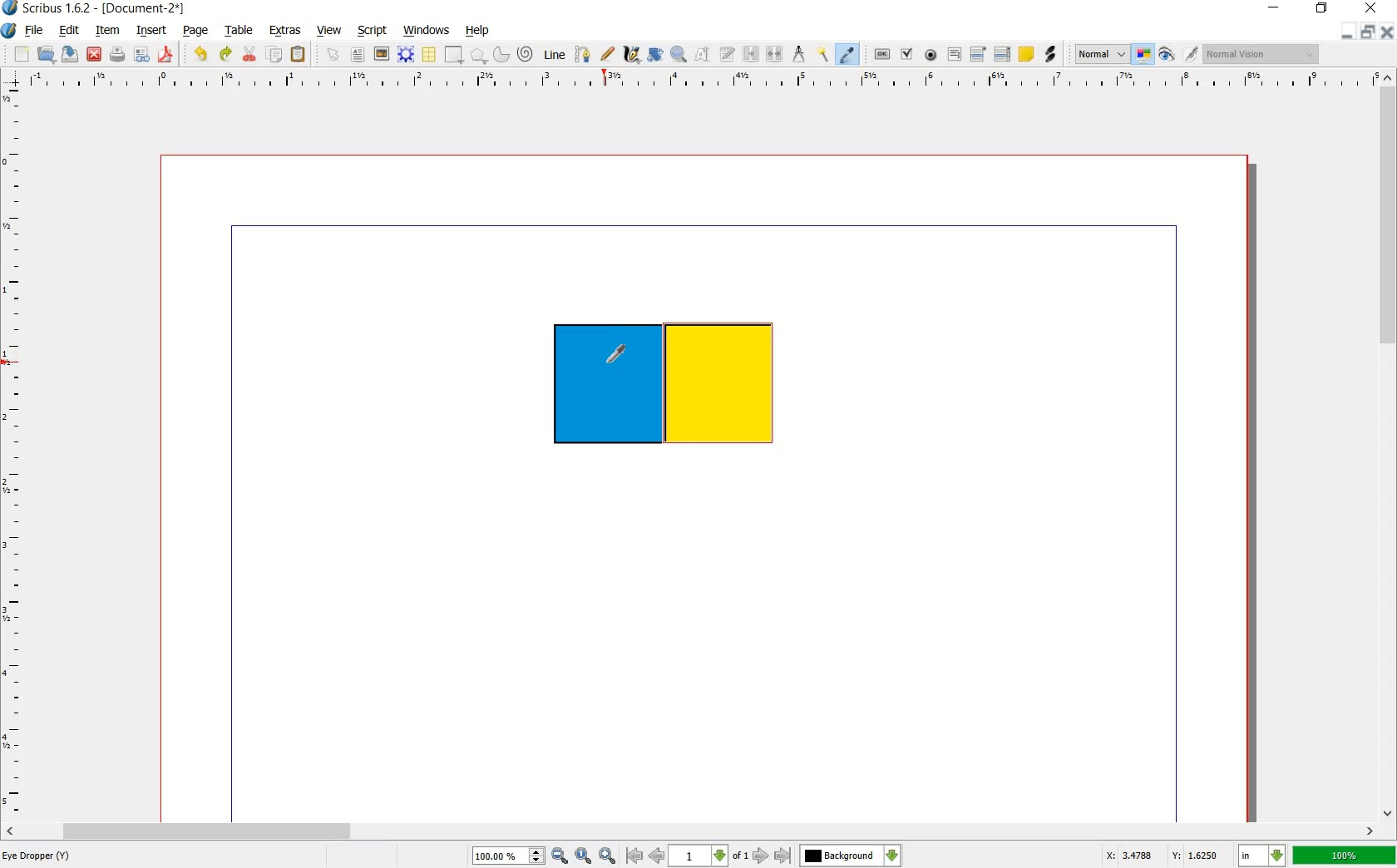  What do you see at coordinates (274, 56) in the screenshot?
I see `copy` at bounding box center [274, 56].